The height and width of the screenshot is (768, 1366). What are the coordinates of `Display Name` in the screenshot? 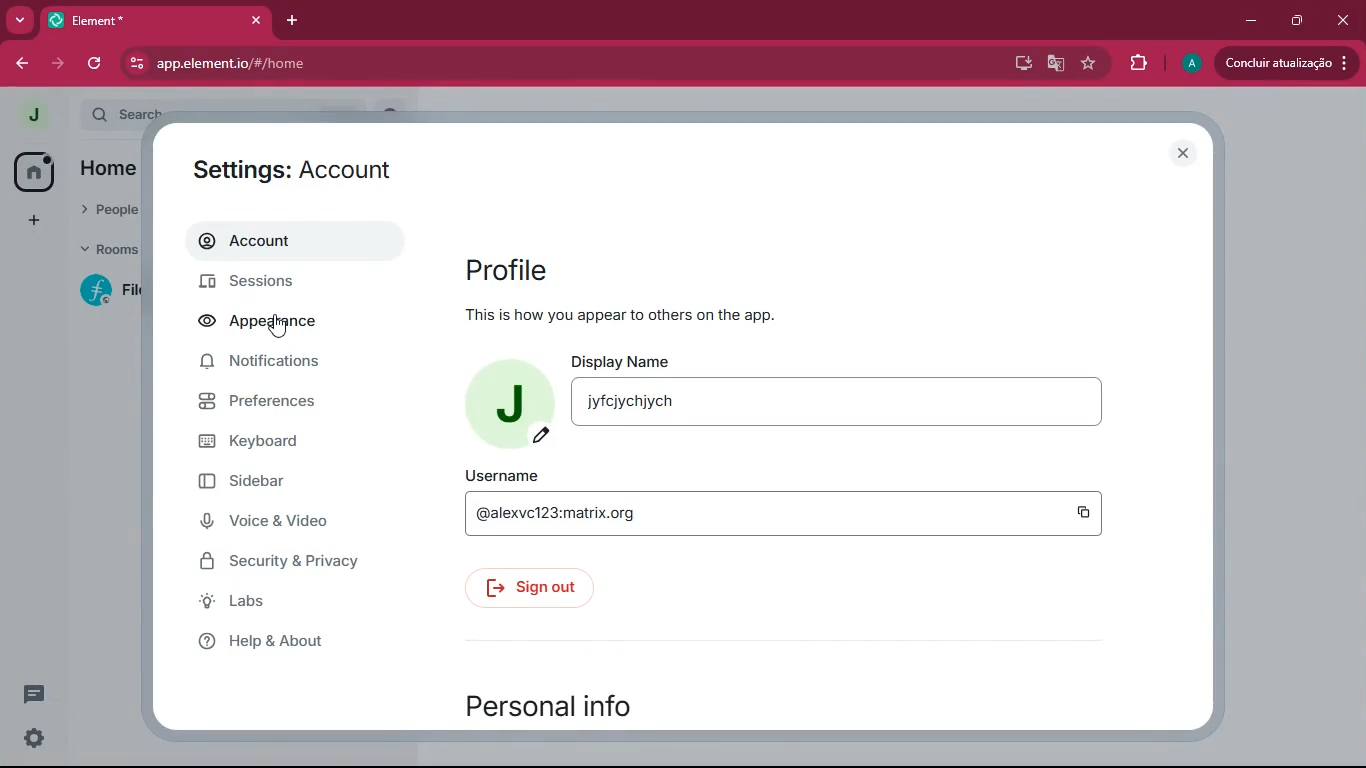 It's located at (625, 361).